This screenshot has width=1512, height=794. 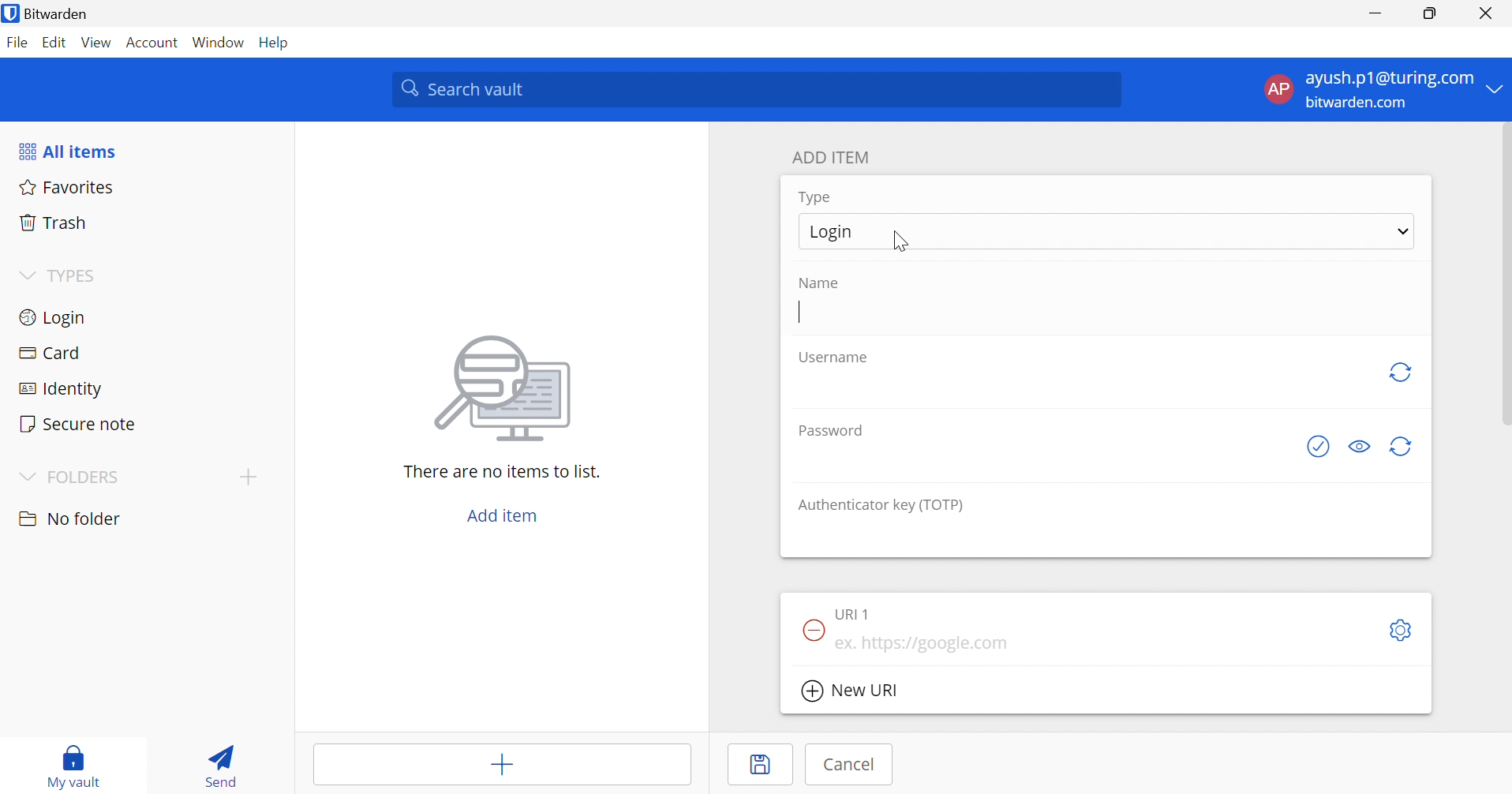 What do you see at coordinates (71, 153) in the screenshot?
I see `All items` at bounding box center [71, 153].